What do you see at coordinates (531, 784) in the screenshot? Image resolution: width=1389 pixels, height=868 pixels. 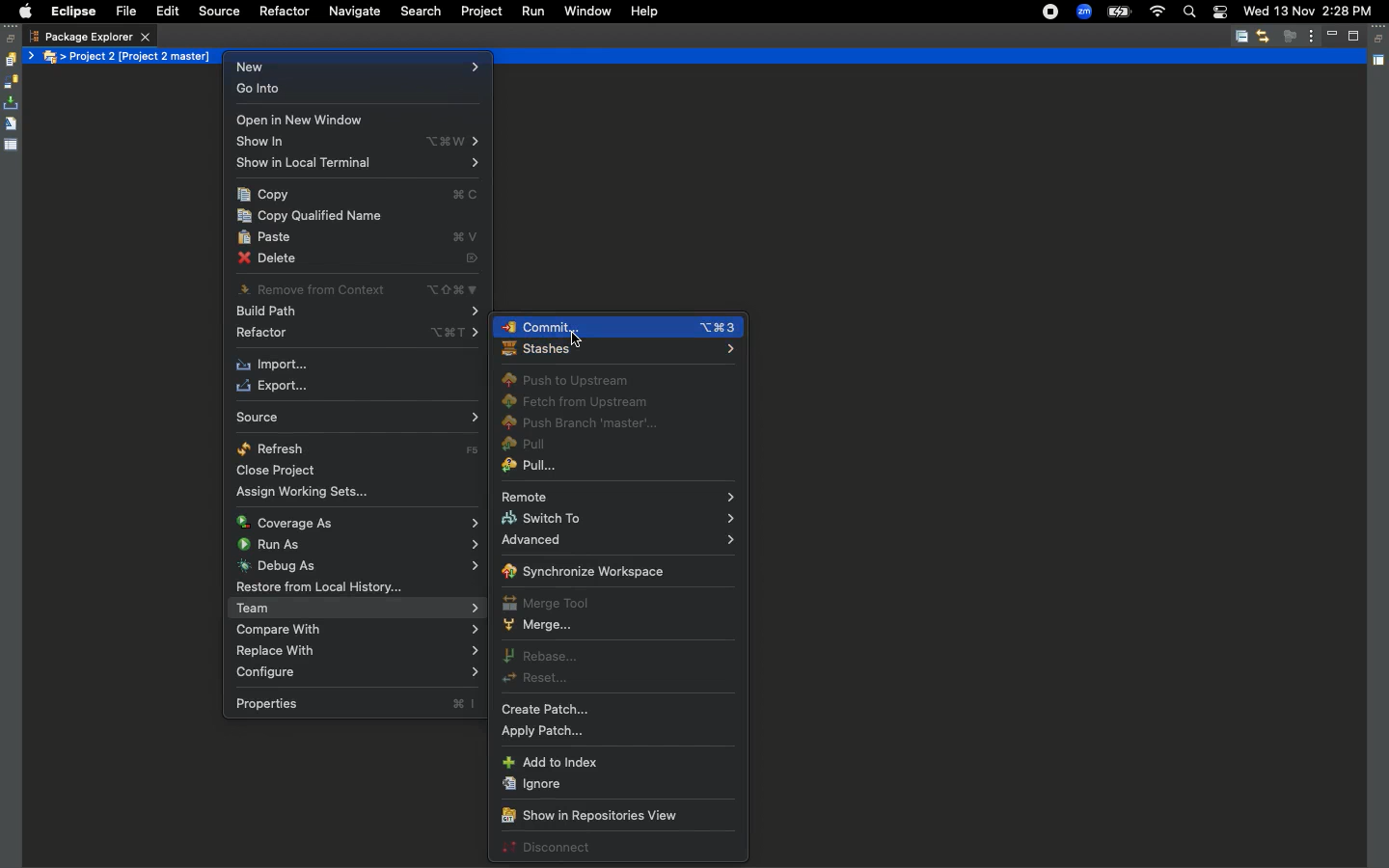 I see `Ignore` at bounding box center [531, 784].